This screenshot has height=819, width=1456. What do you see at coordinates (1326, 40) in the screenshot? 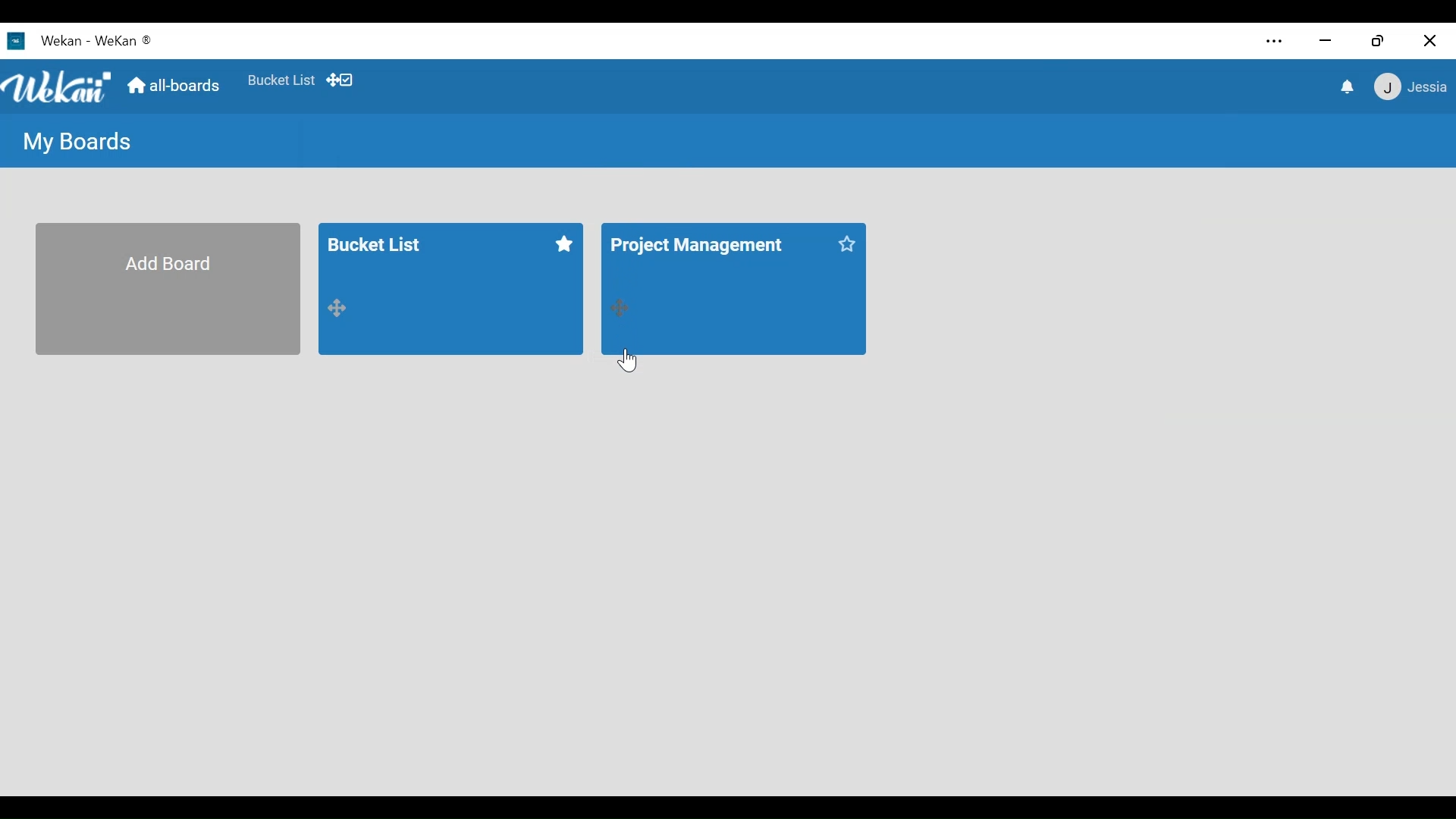
I see `minimize` at bounding box center [1326, 40].